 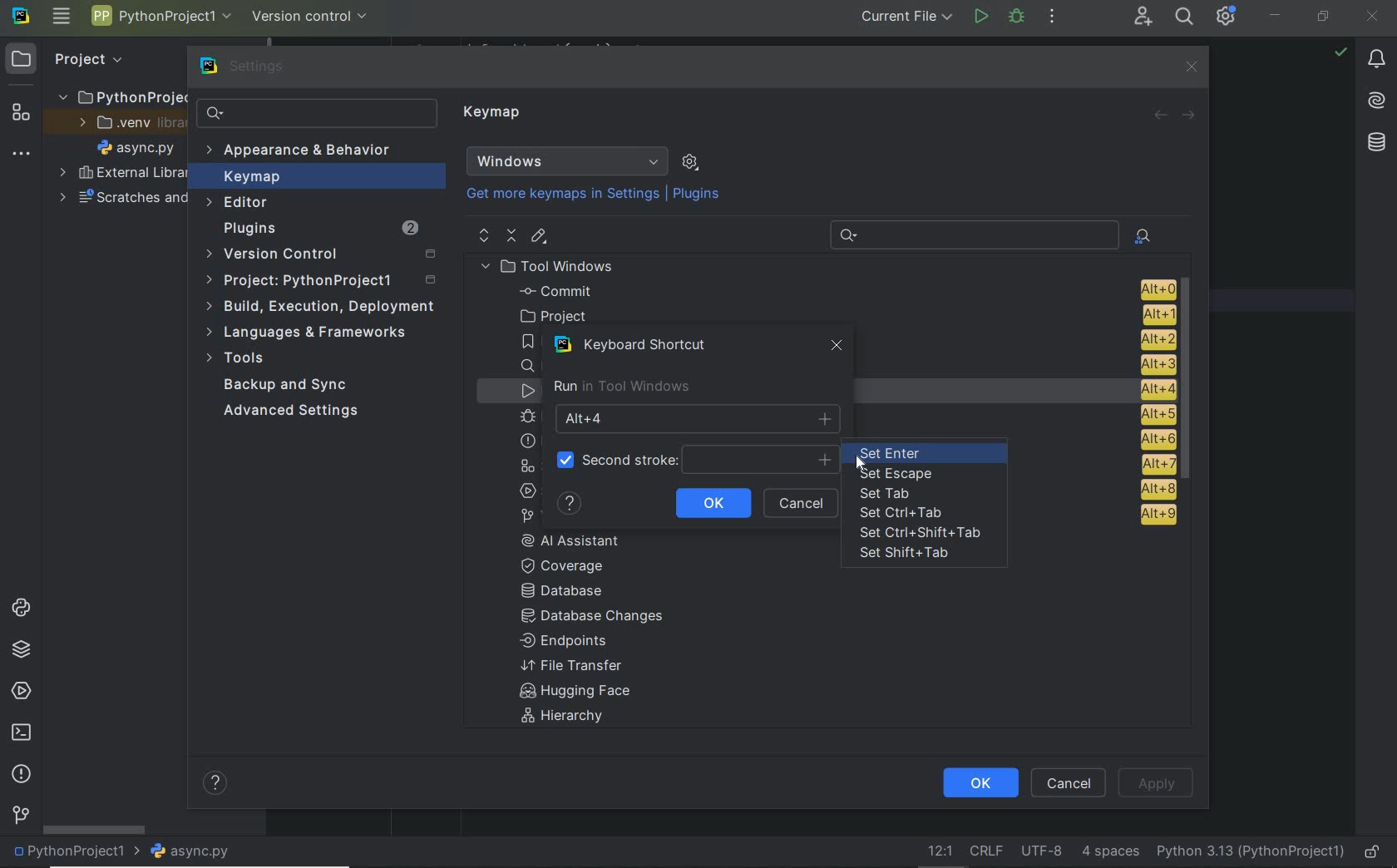 What do you see at coordinates (1185, 17) in the screenshot?
I see `search everywhere` at bounding box center [1185, 17].